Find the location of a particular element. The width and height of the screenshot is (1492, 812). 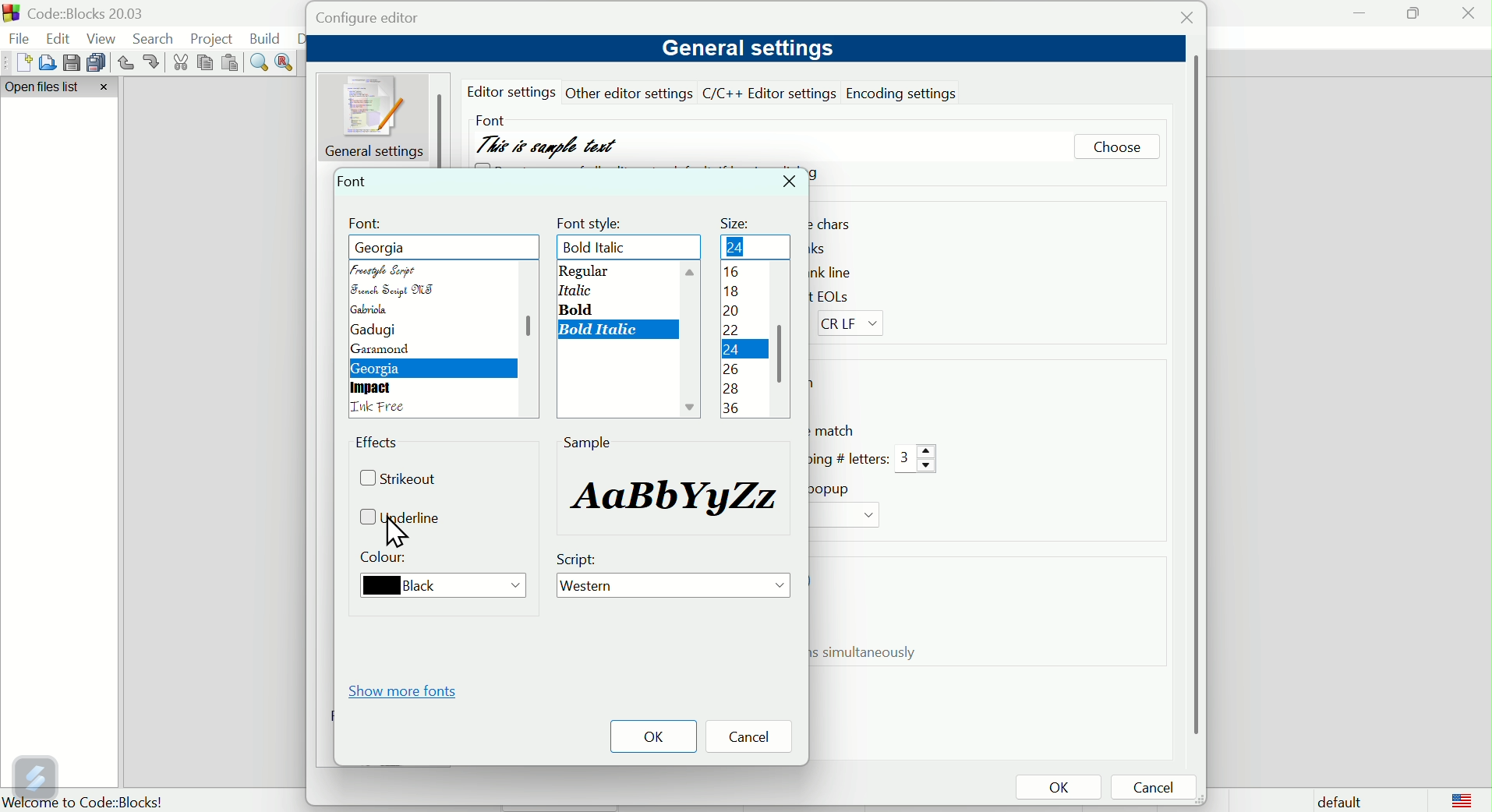

Undo is located at coordinates (125, 63).